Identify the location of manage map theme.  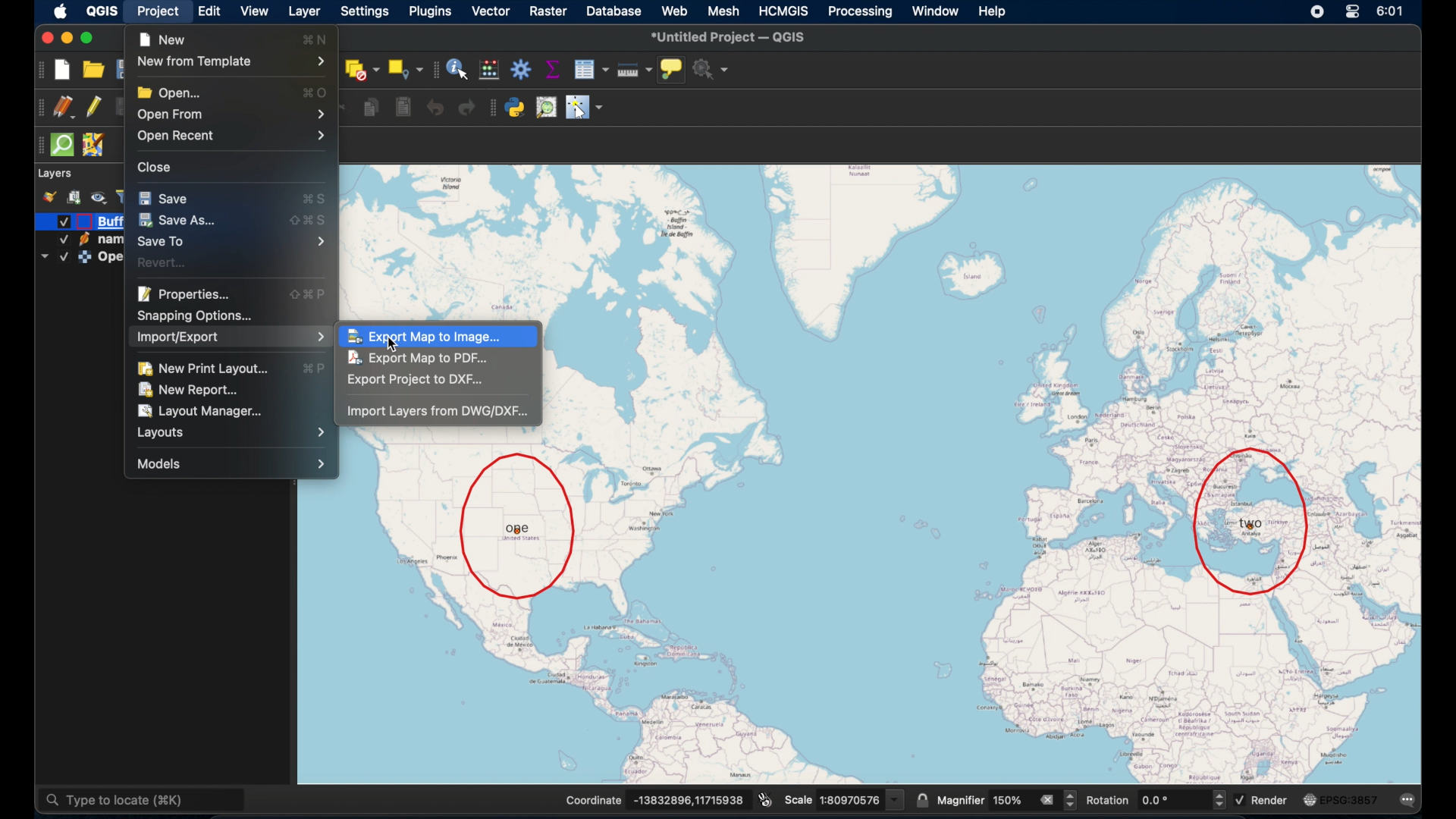
(99, 198).